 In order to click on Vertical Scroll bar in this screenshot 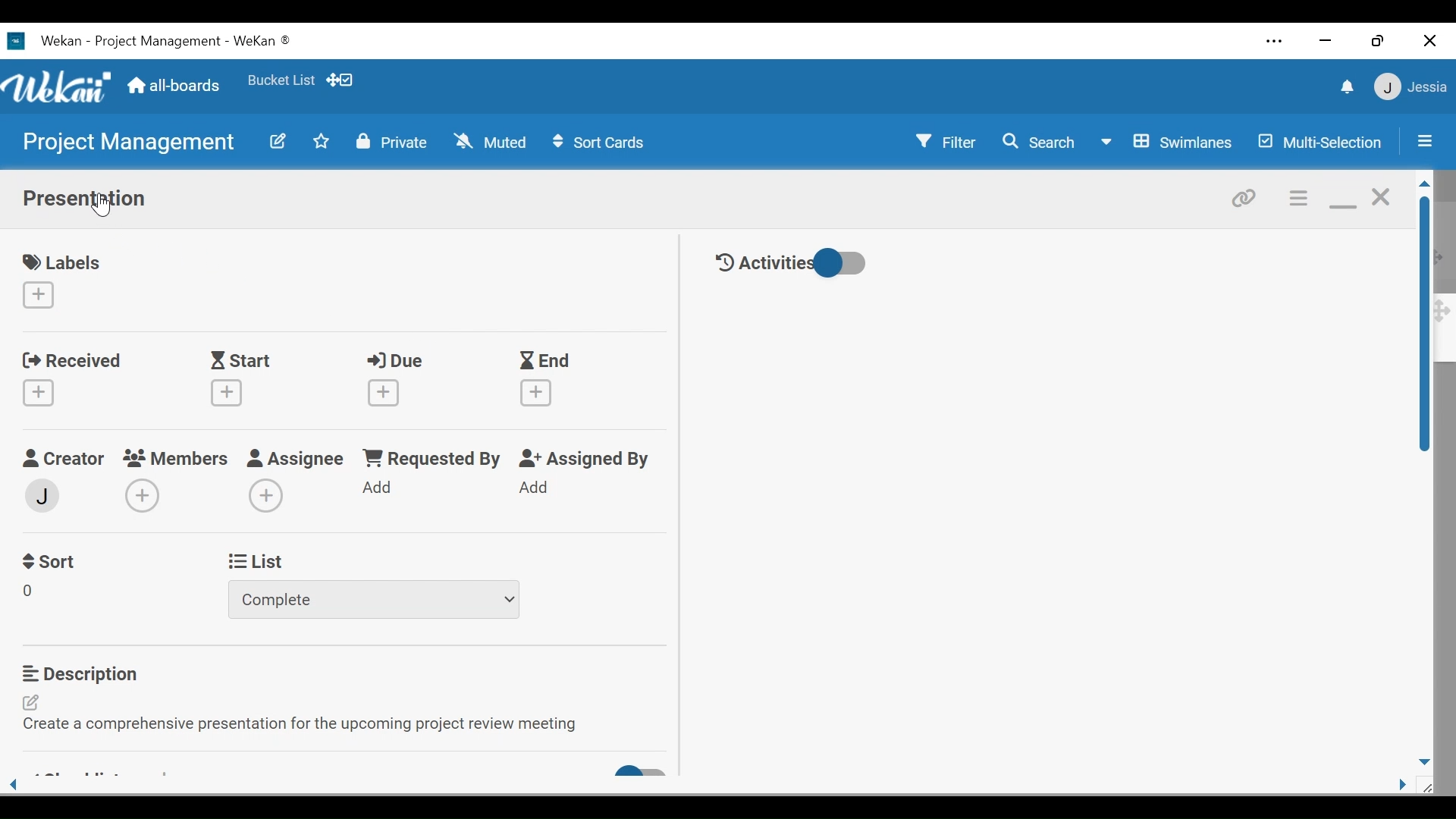, I will do `click(1425, 325)`.